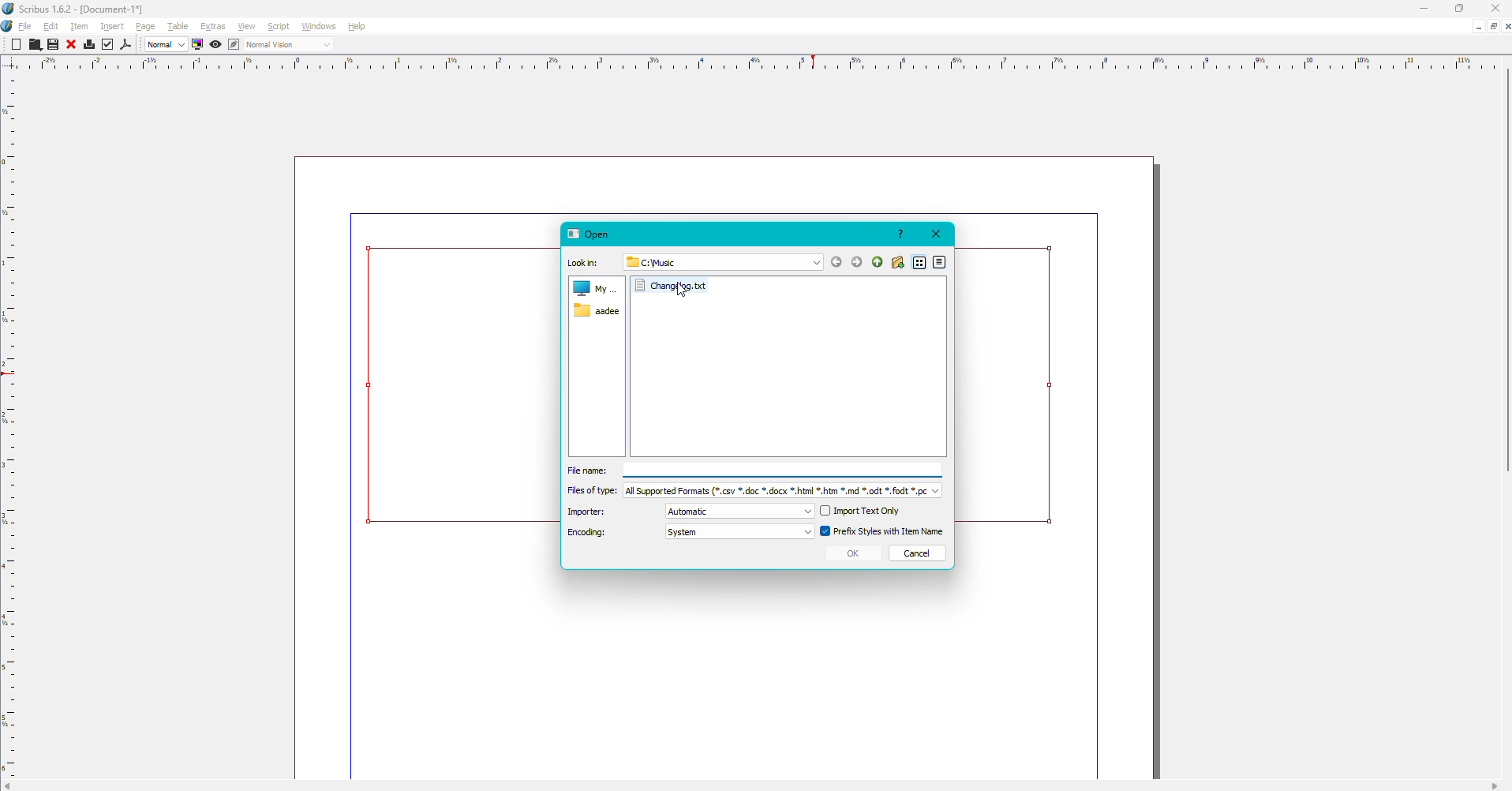  Describe the element at coordinates (87, 44) in the screenshot. I see `Print` at that location.